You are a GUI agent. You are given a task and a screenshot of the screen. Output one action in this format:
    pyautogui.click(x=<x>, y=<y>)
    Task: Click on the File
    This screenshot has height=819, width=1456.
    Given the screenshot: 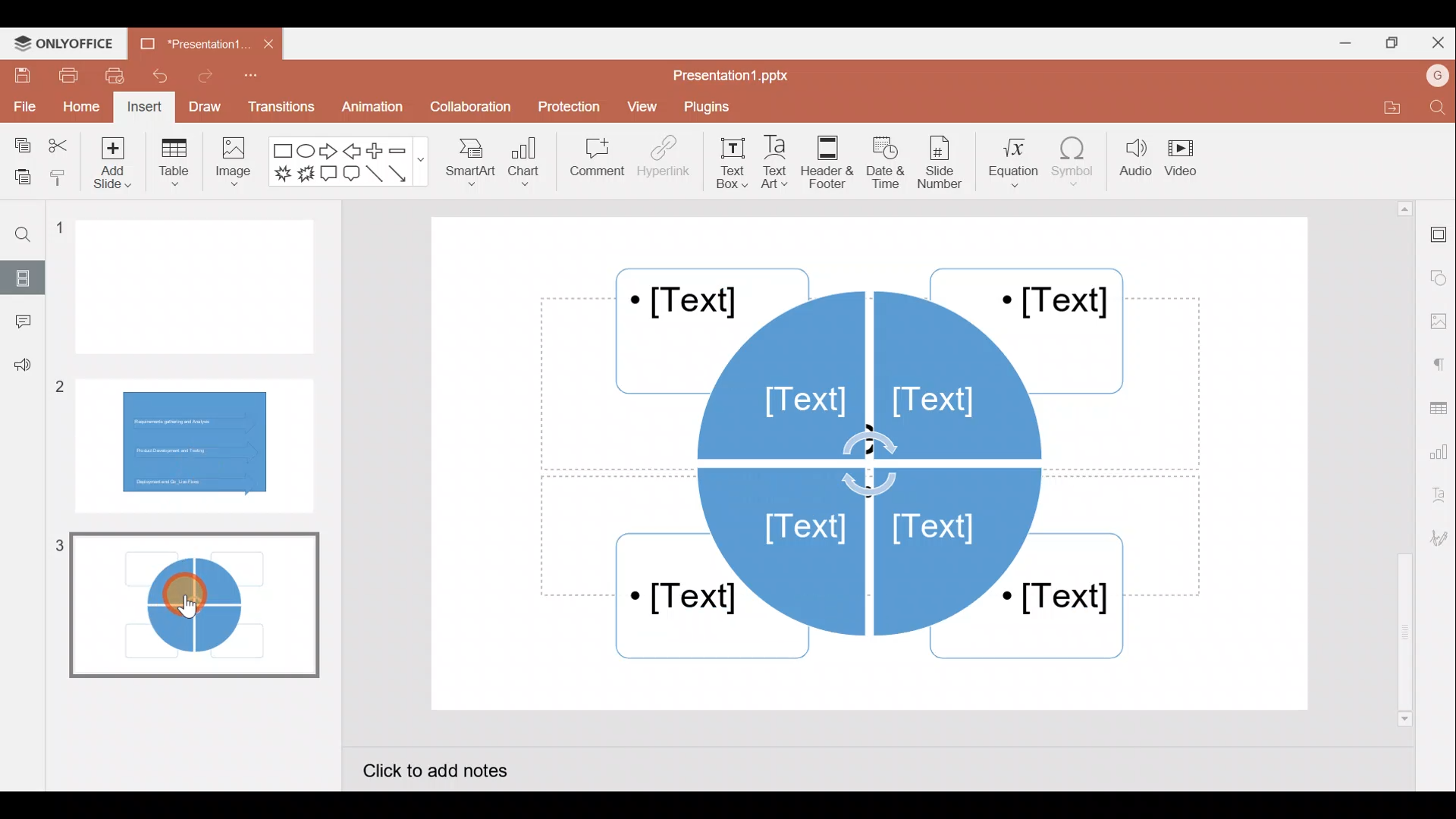 What is the action you would take?
    pyautogui.click(x=23, y=106)
    